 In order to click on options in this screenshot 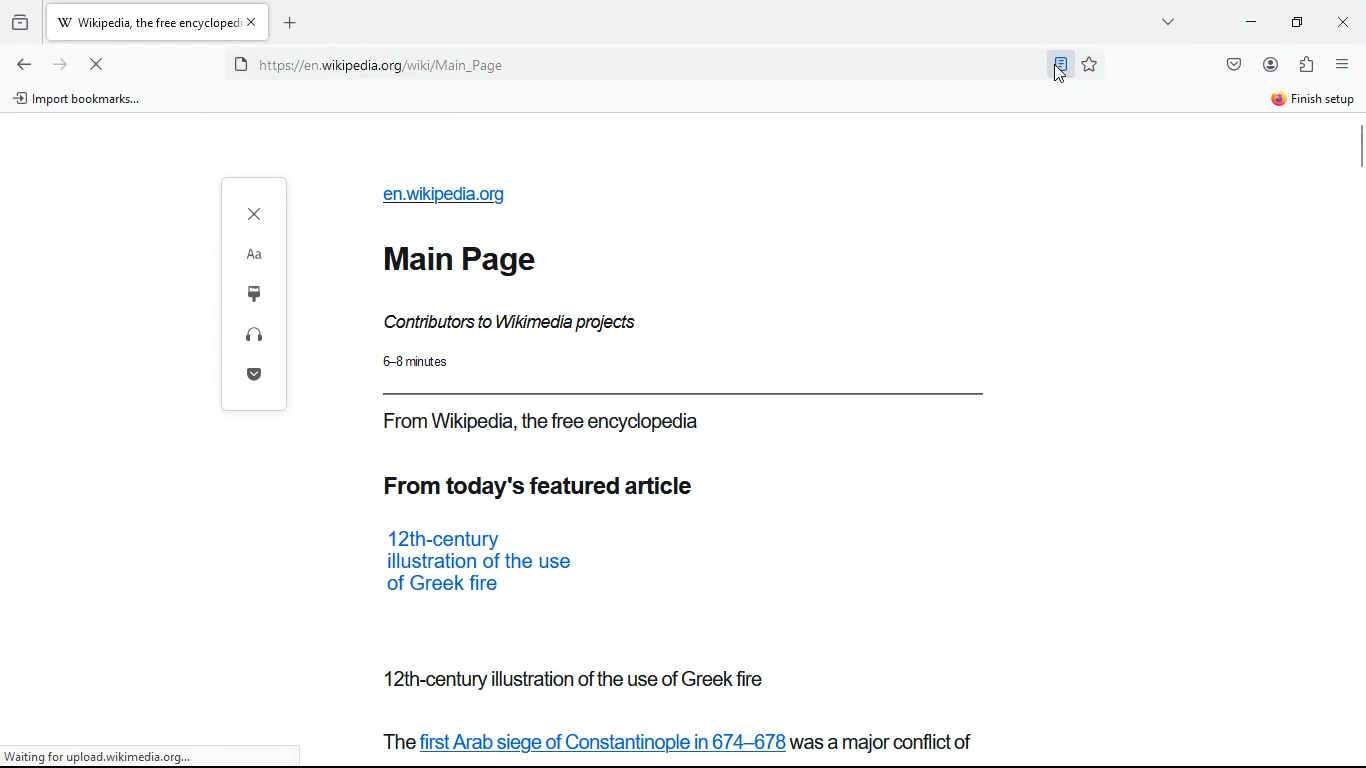, I will do `click(250, 297)`.